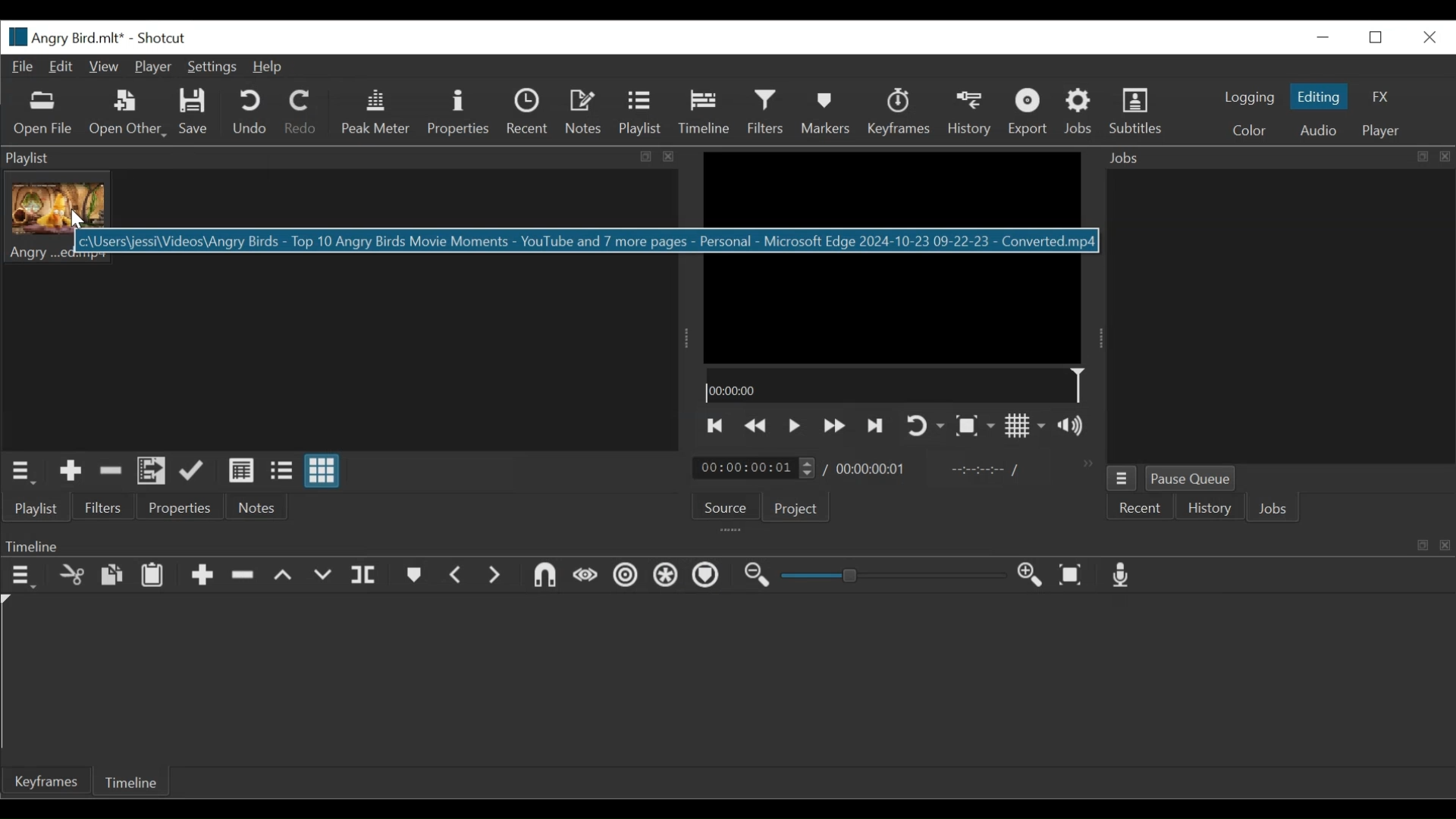 Image resolution: width=1456 pixels, height=819 pixels. I want to click on Recent, so click(1144, 510).